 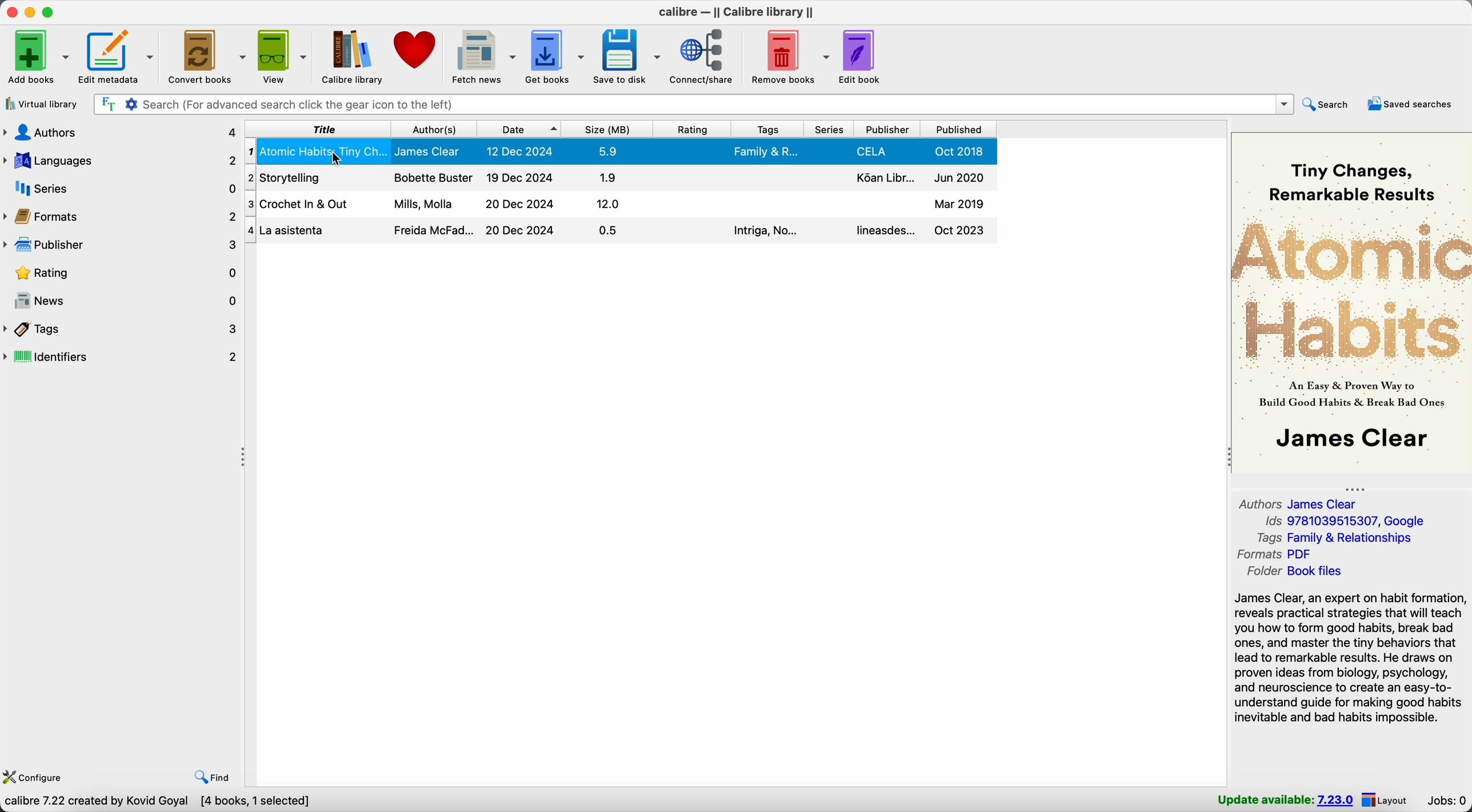 What do you see at coordinates (1275, 554) in the screenshot?
I see `formats` at bounding box center [1275, 554].